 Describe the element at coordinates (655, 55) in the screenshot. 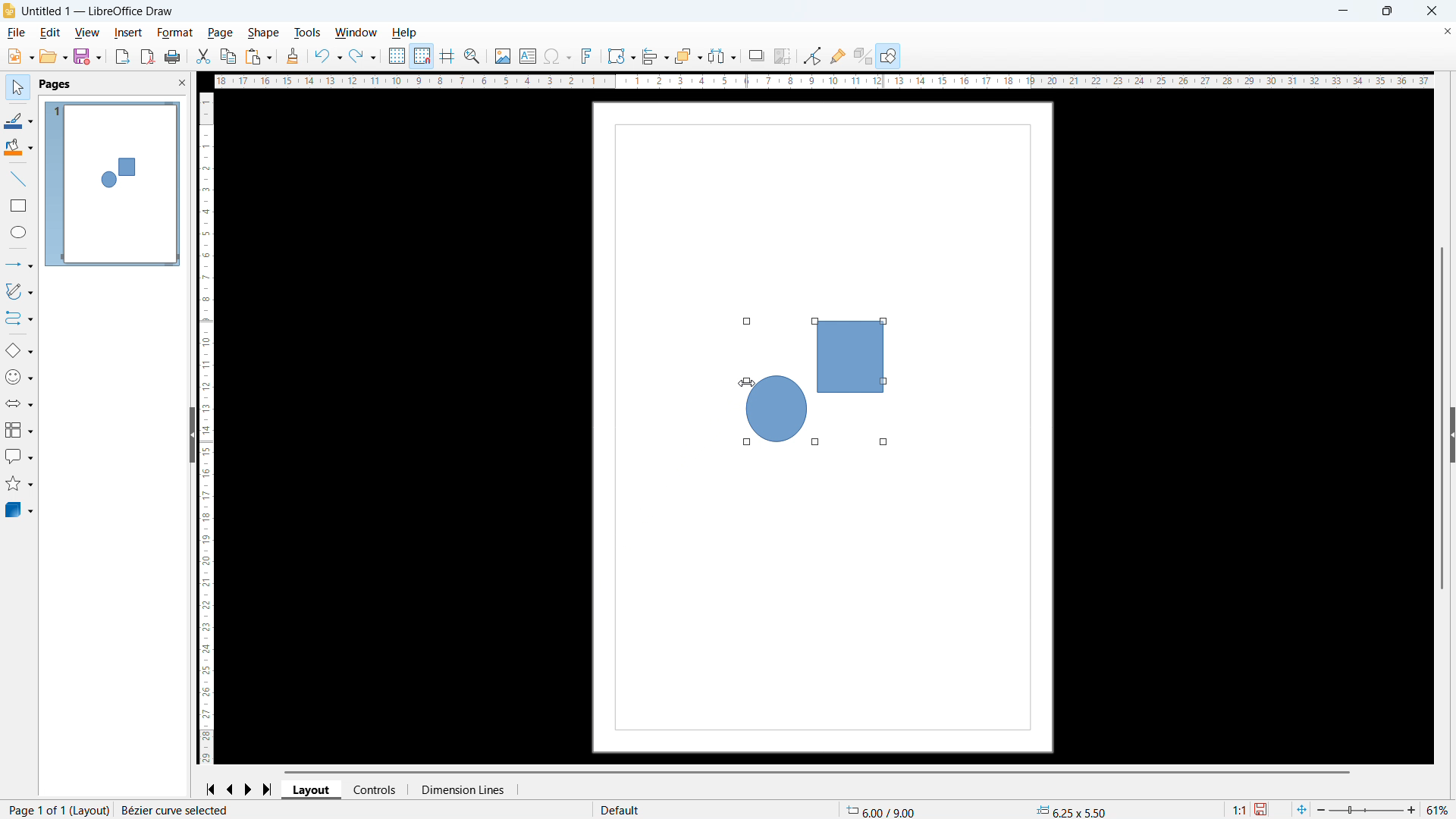

I see `align ` at that location.